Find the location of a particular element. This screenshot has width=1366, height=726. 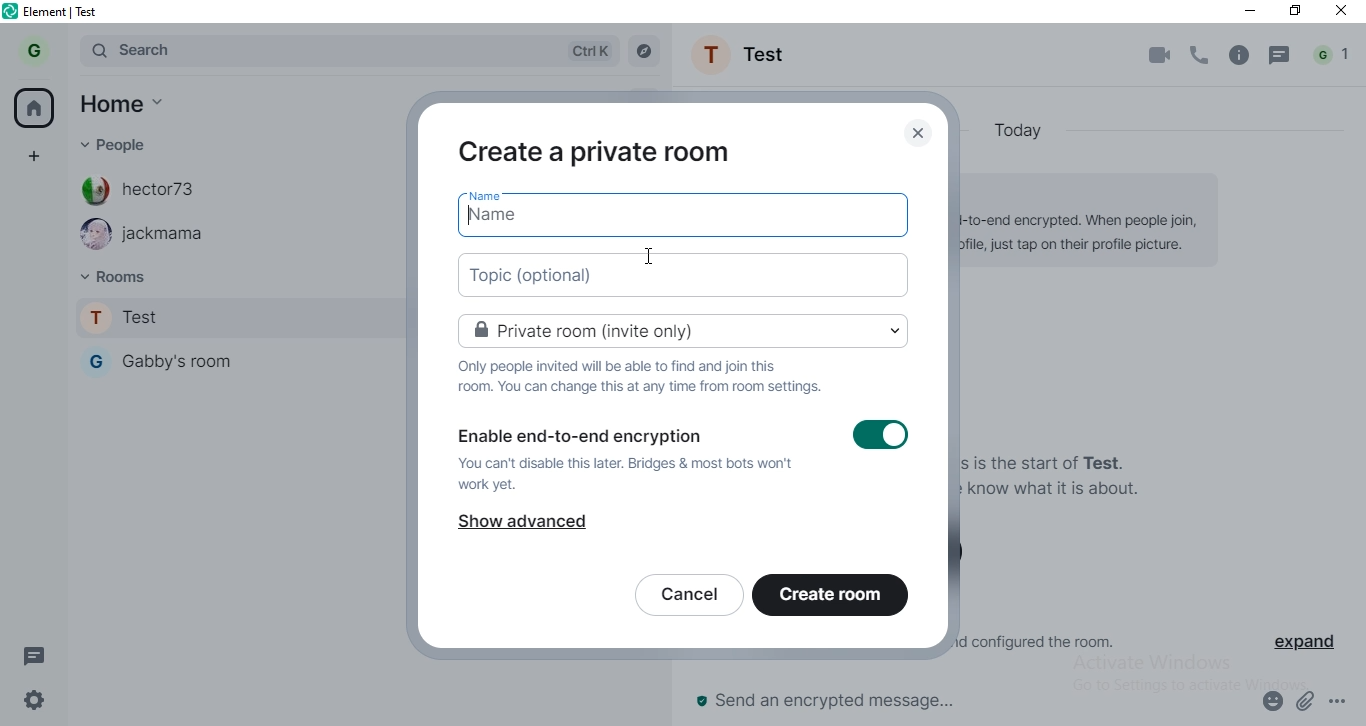

emoji is located at coordinates (1271, 703).